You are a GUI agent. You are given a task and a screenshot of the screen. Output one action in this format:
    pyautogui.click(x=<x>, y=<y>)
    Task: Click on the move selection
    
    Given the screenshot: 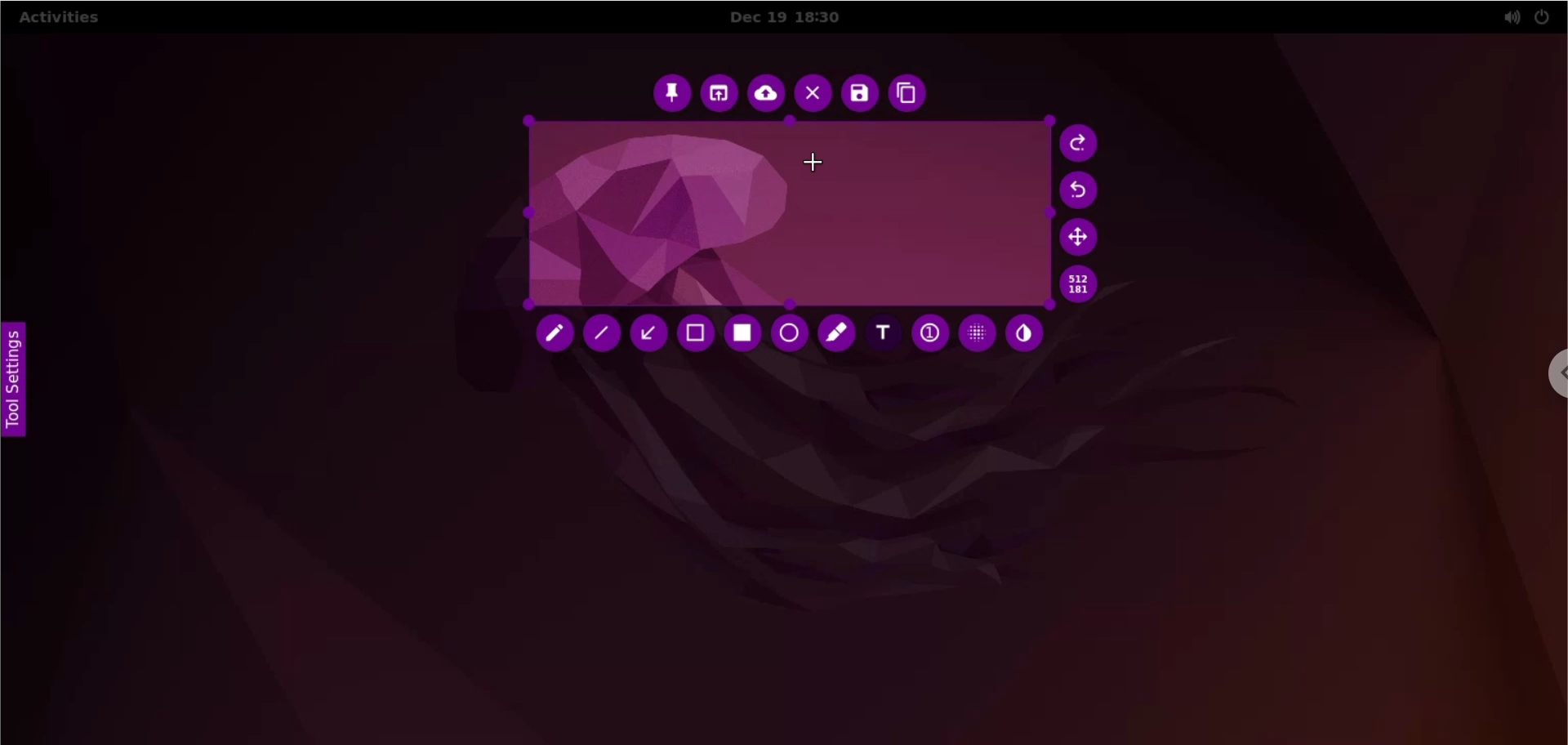 What is the action you would take?
    pyautogui.click(x=1077, y=239)
    